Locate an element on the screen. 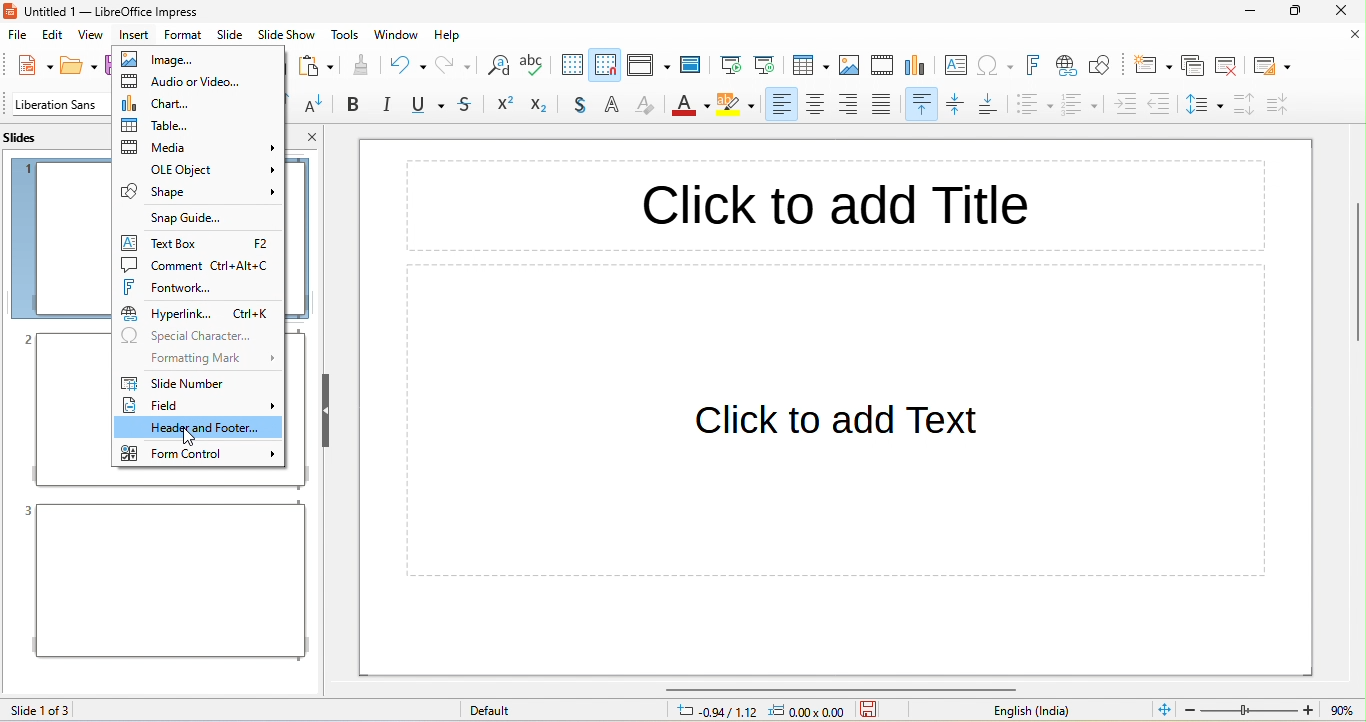 The width and height of the screenshot is (1366, 722). maximize is located at coordinates (1297, 12).